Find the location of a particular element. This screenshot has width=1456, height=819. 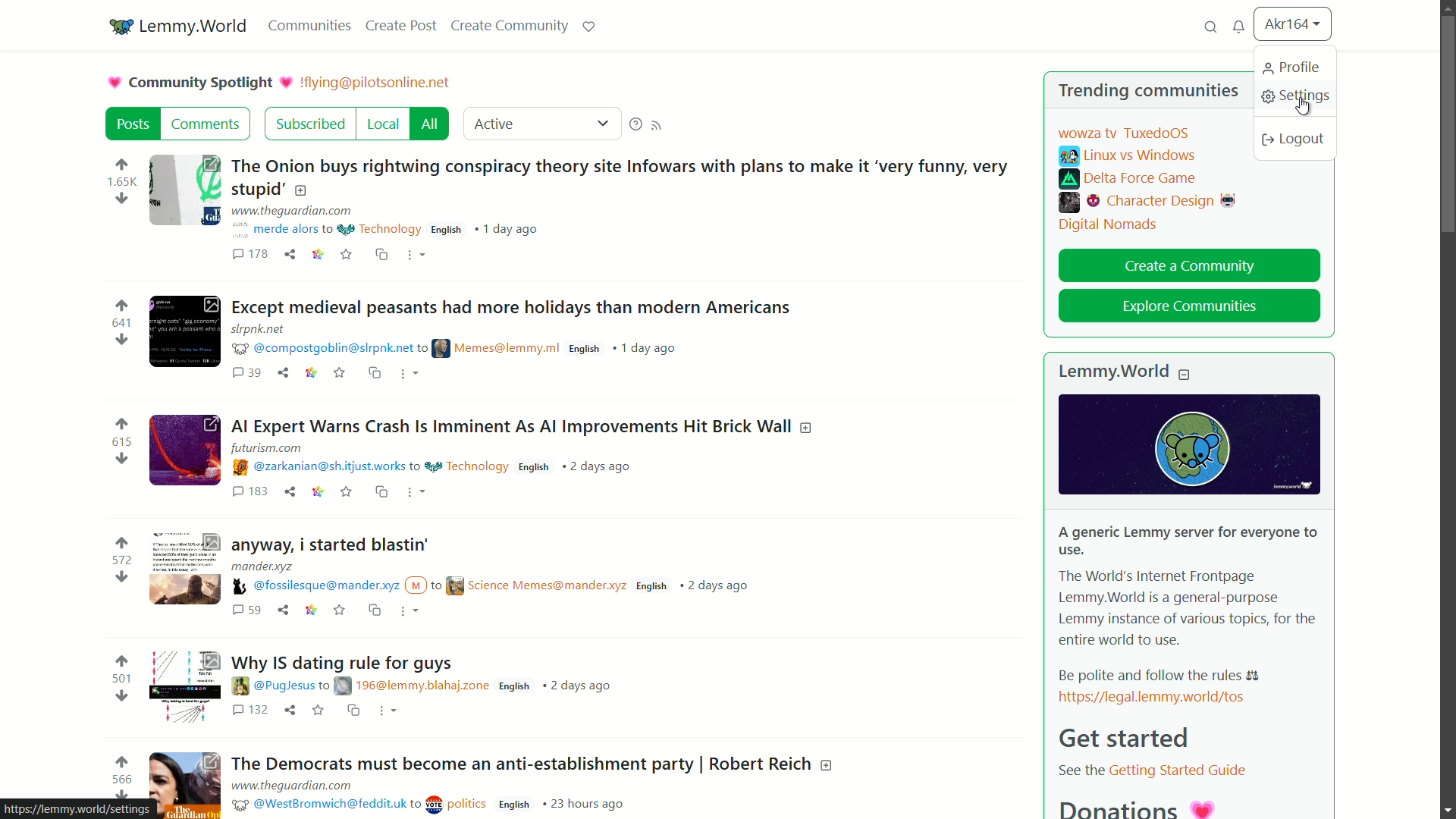

communities is located at coordinates (308, 26).